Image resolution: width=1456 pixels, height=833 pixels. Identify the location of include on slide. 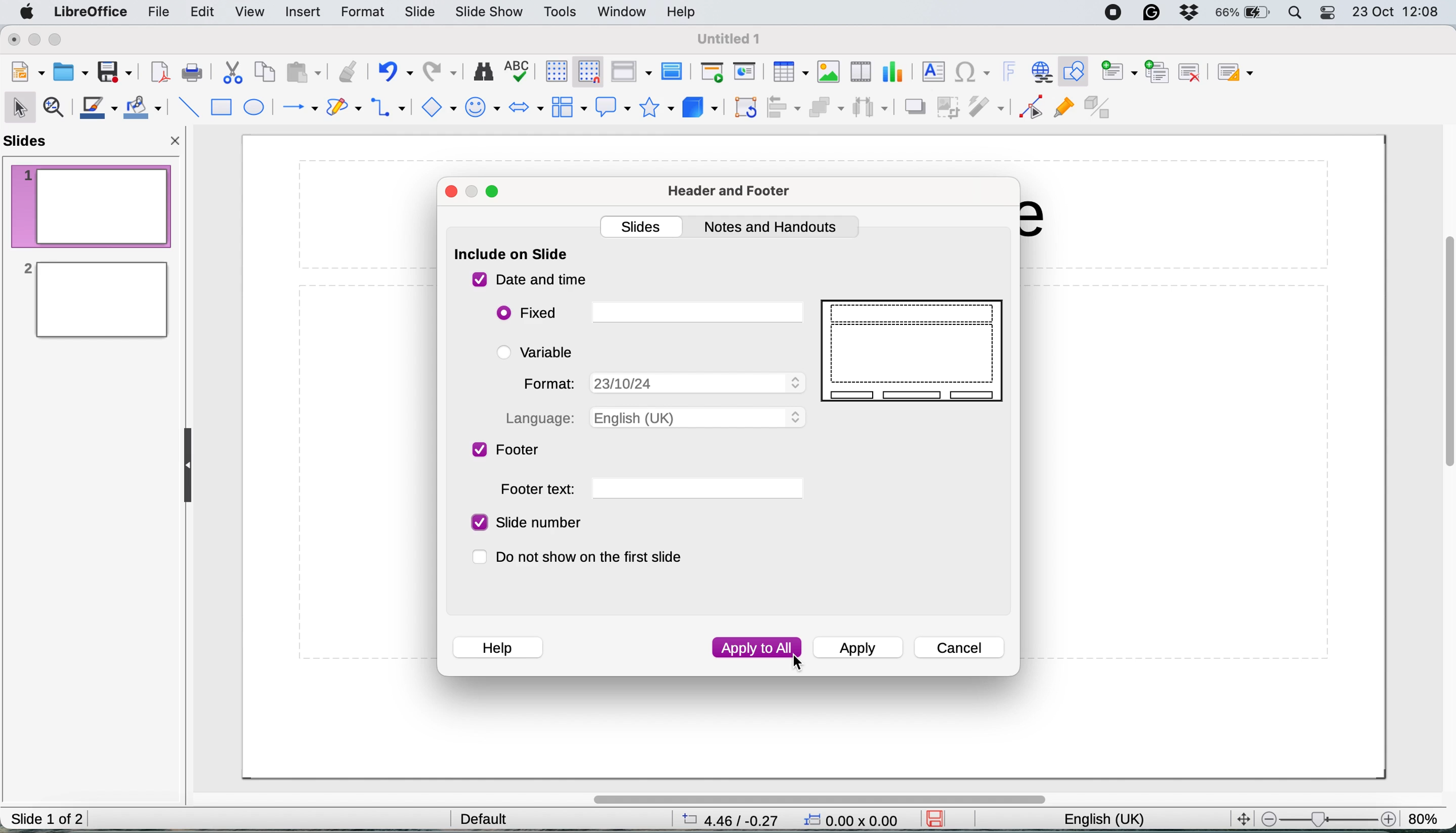
(512, 256).